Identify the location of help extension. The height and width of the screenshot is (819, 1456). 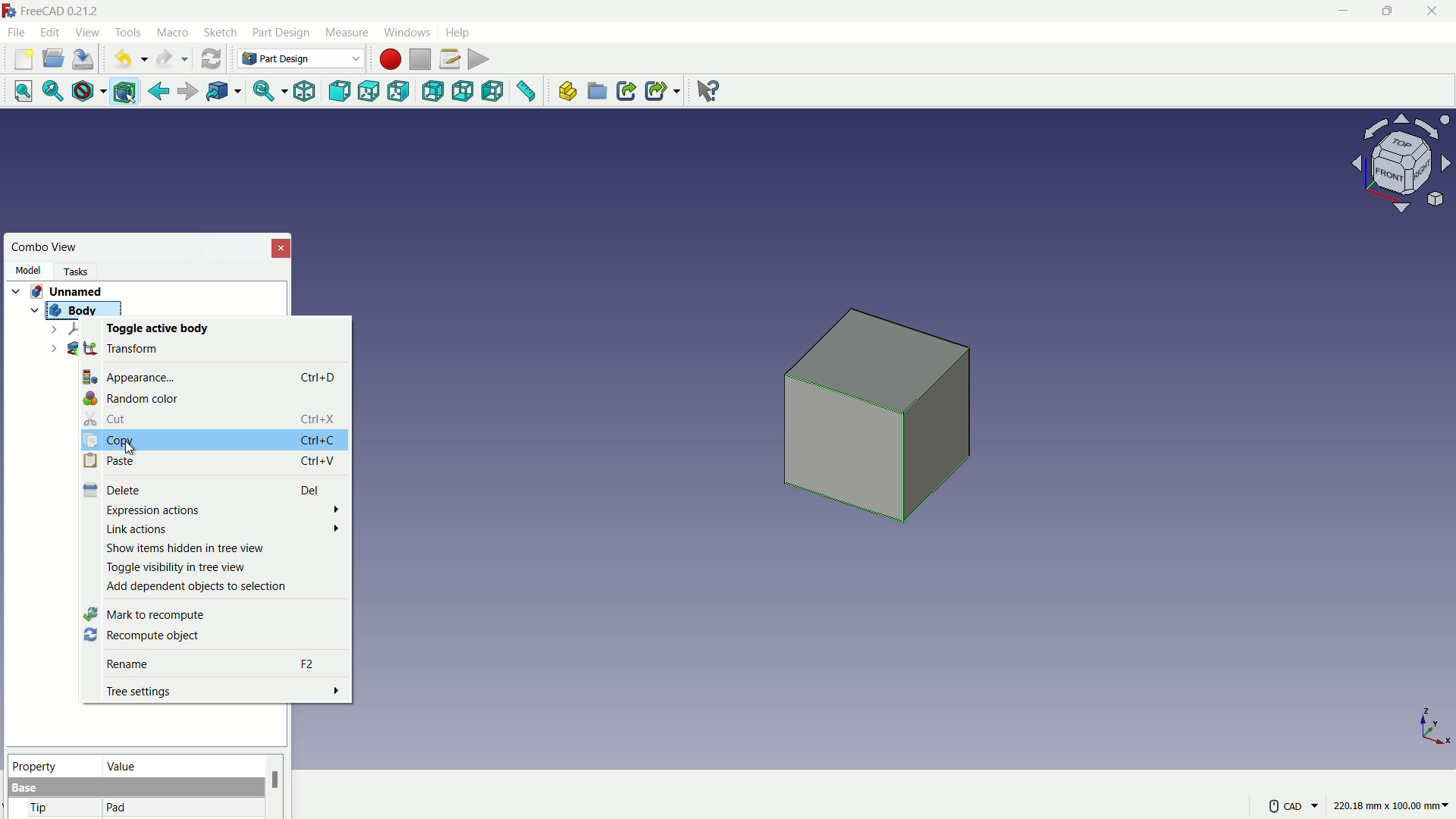
(704, 89).